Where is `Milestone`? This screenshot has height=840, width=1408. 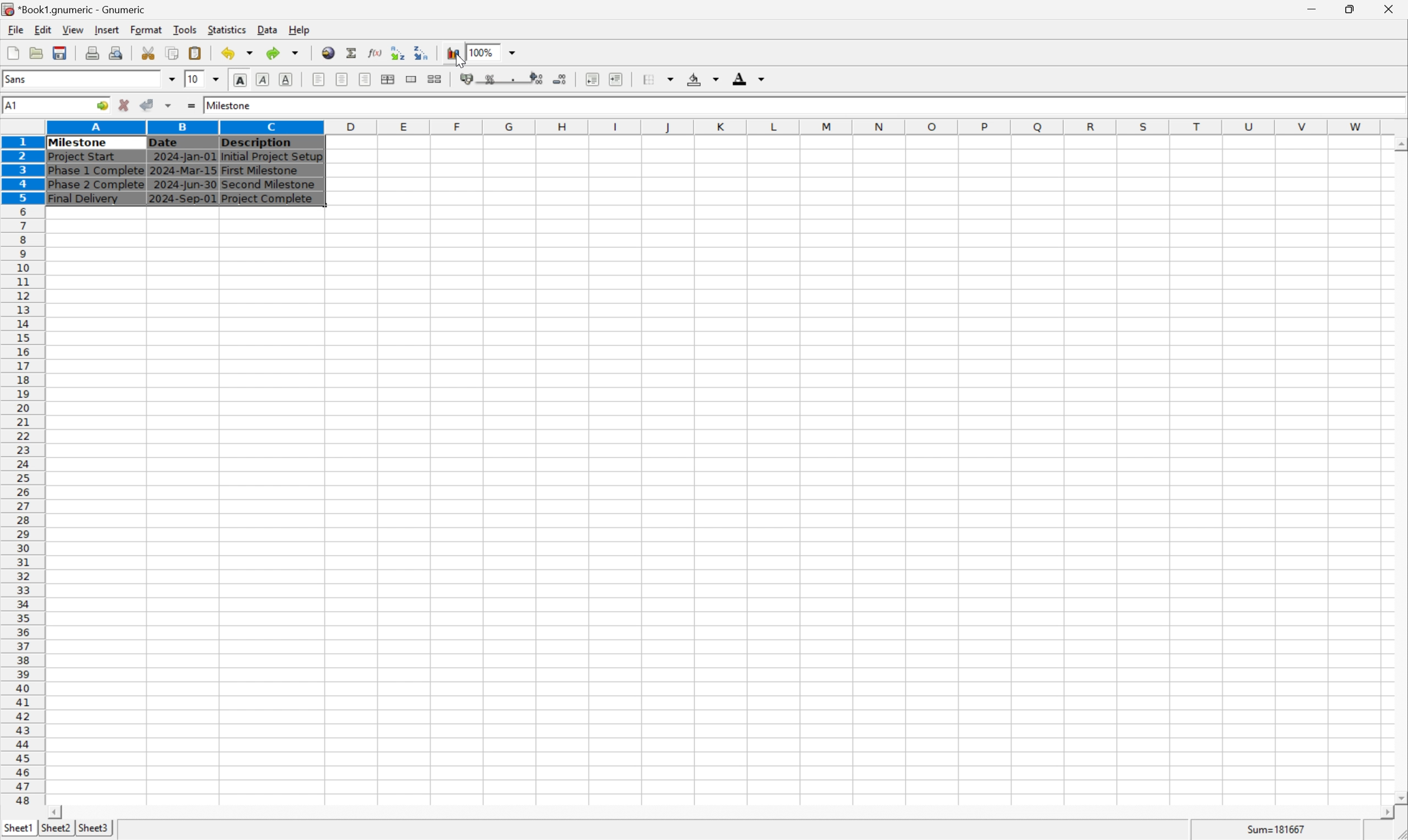 Milestone is located at coordinates (230, 104).